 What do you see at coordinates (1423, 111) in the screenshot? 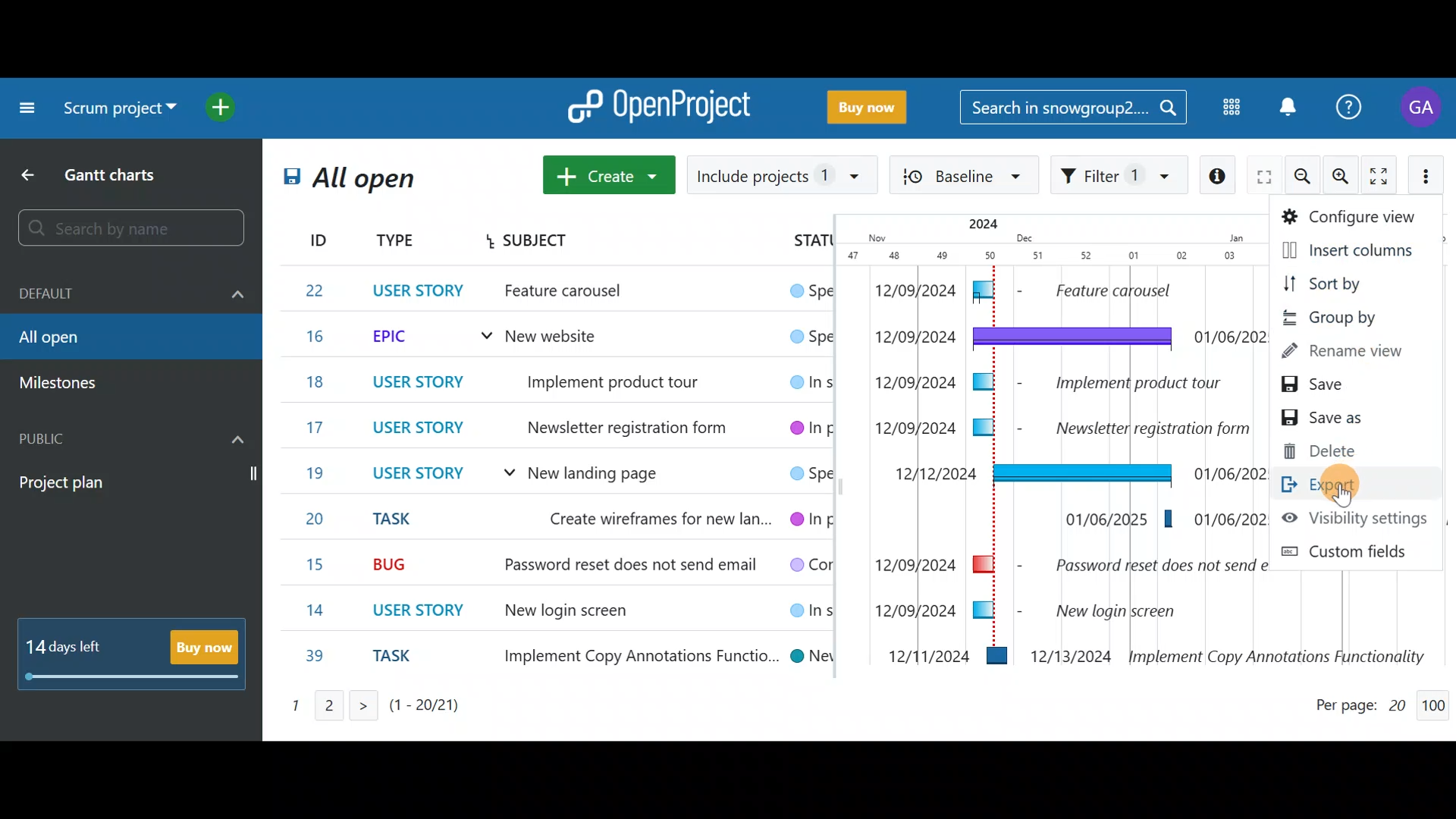
I see `Account name` at bounding box center [1423, 111].